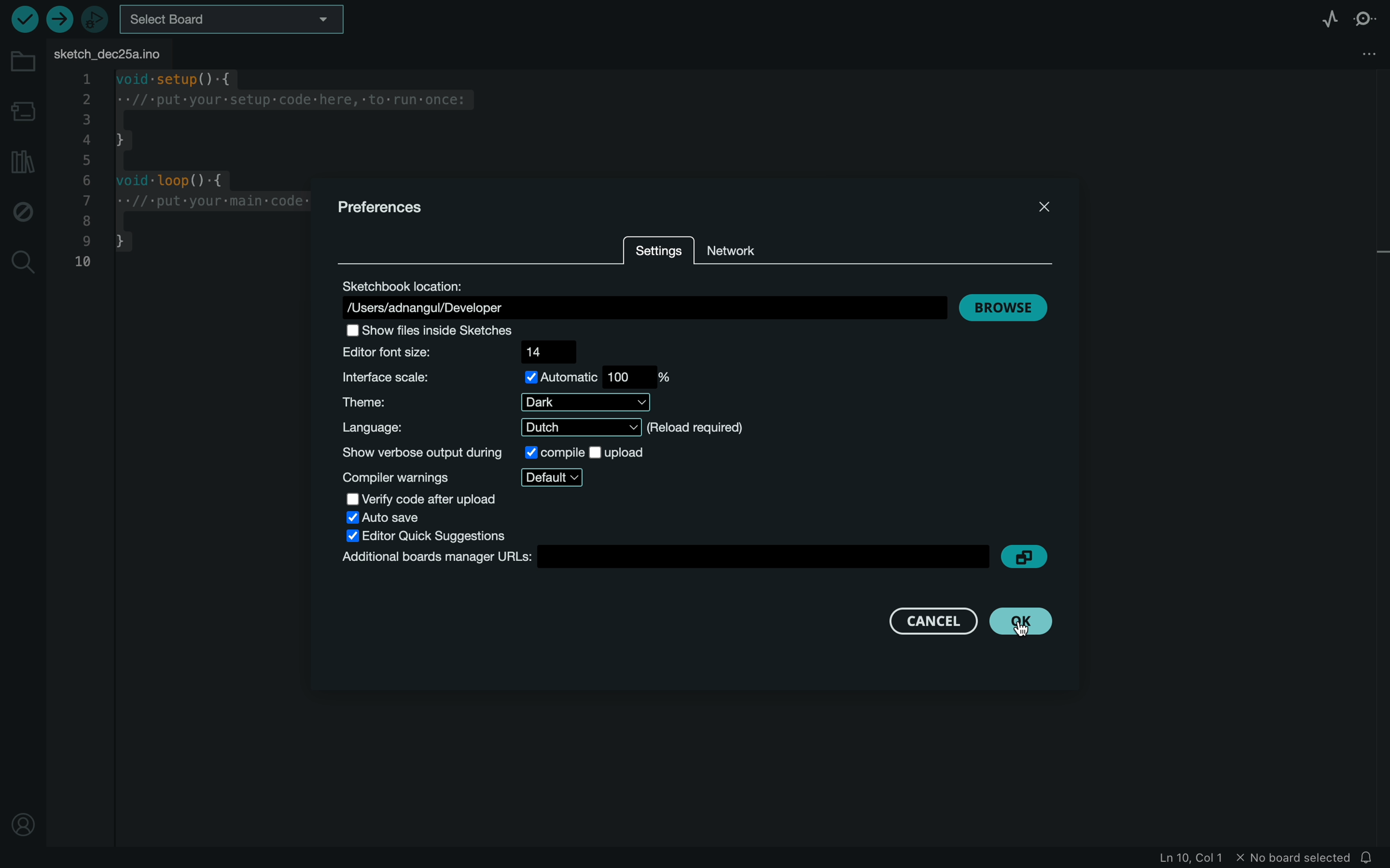 The height and width of the screenshot is (868, 1390). Describe the element at coordinates (457, 352) in the screenshot. I see `editor  font  size` at that location.